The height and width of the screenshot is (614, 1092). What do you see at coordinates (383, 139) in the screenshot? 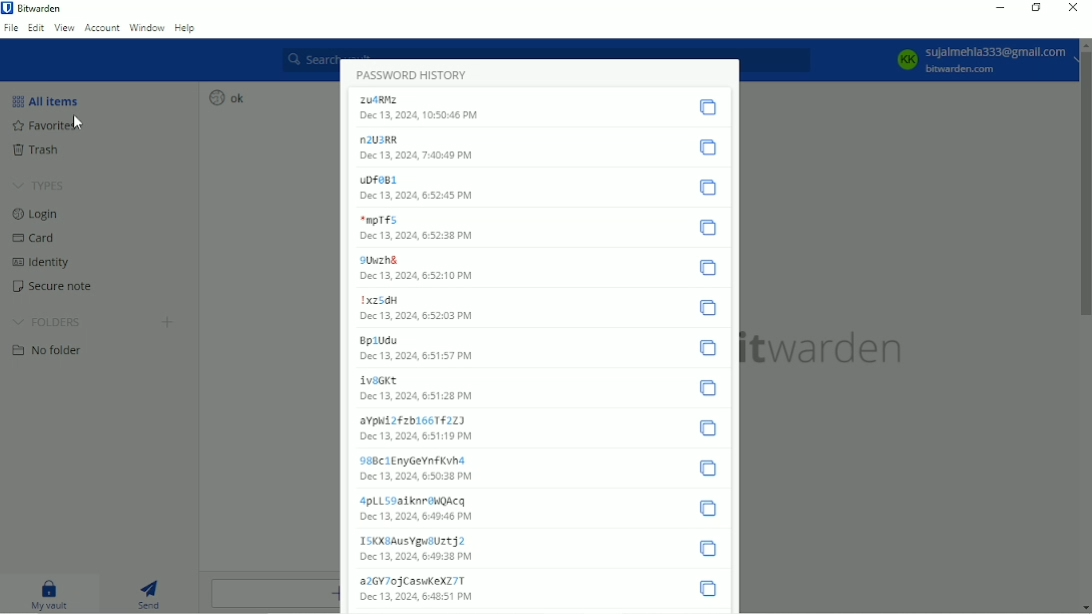
I see `n2U3RR` at bounding box center [383, 139].